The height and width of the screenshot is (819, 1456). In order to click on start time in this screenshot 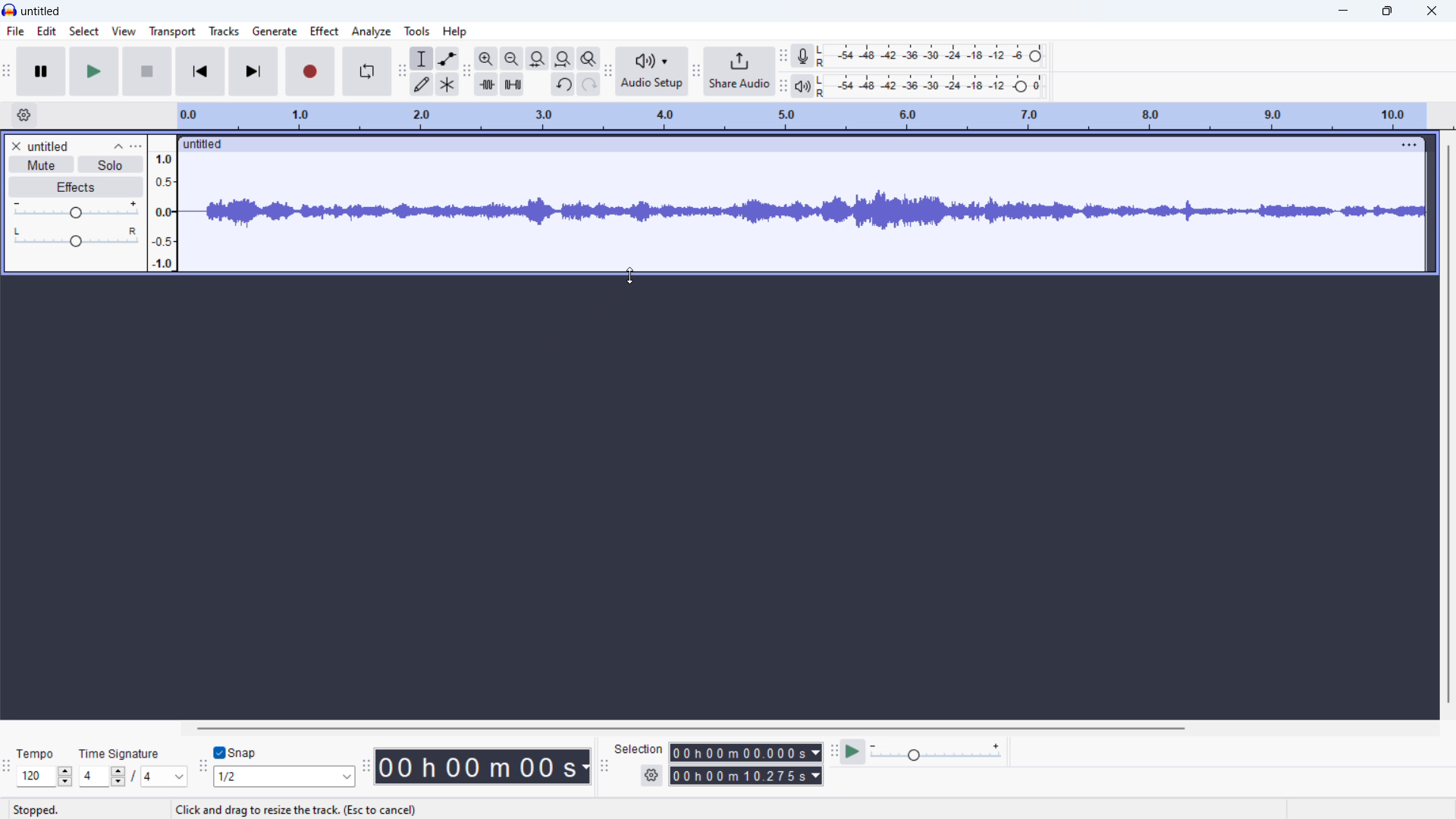, I will do `click(746, 753)`.